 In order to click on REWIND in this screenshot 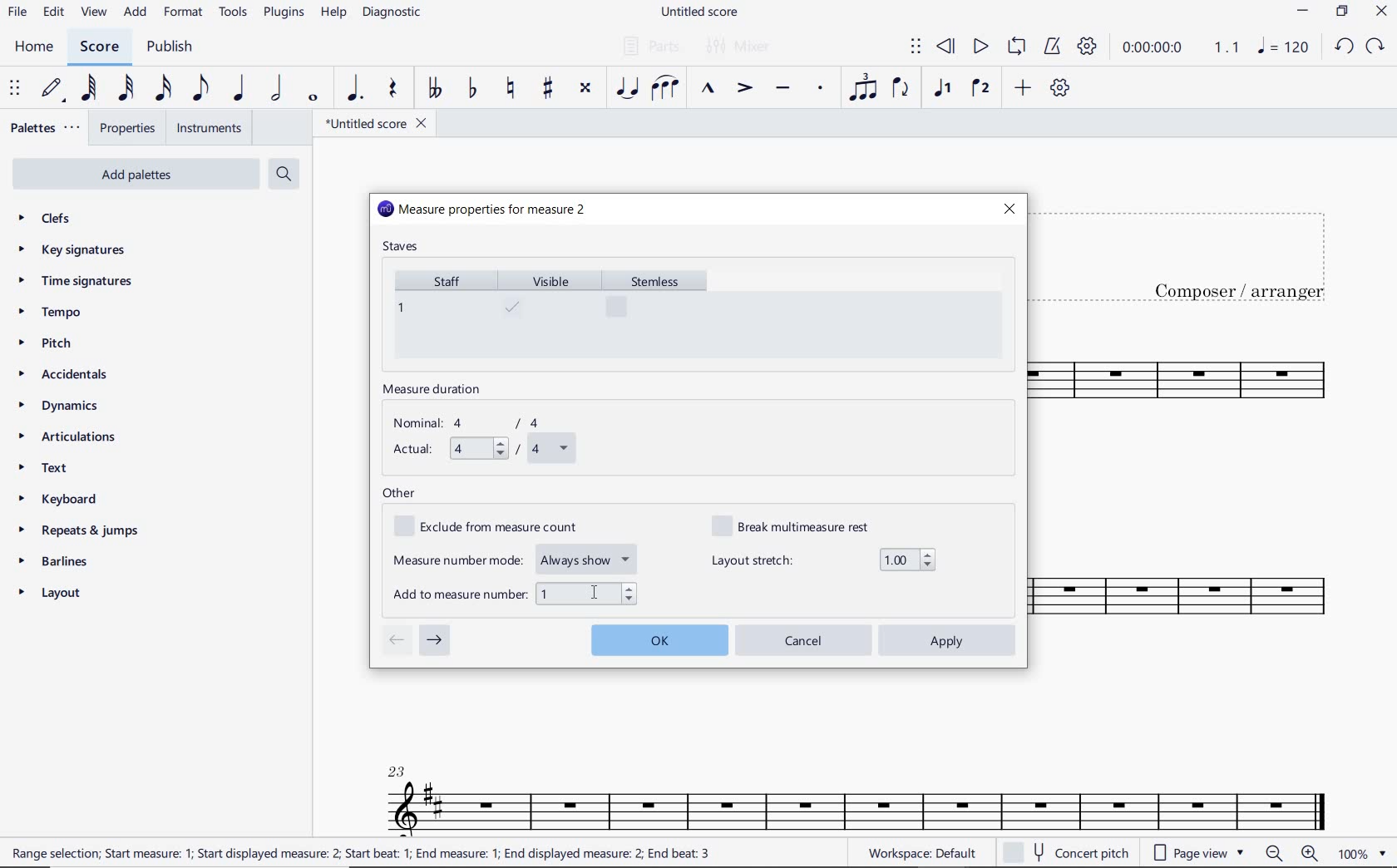, I will do `click(946, 47)`.